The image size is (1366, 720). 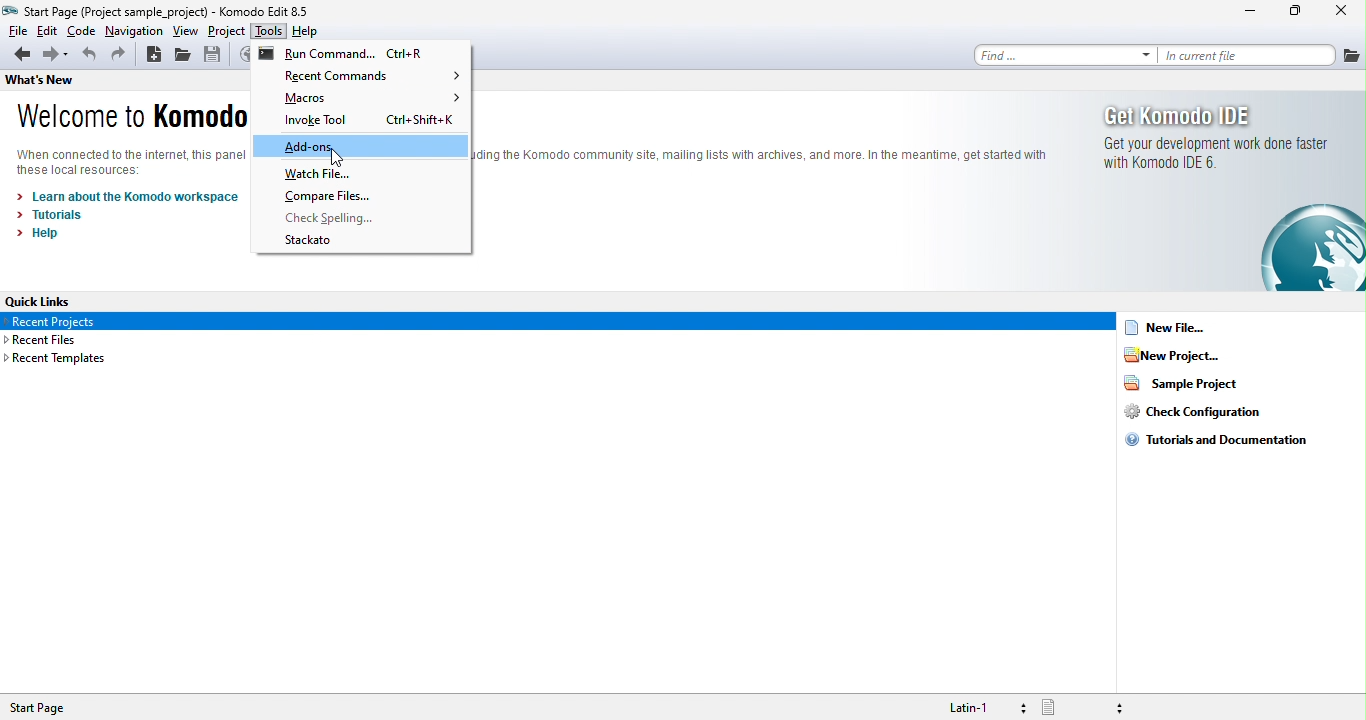 What do you see at coordinates (362, 148) in the screenshot?
I see `add ons` at bounding box center [362, 148].